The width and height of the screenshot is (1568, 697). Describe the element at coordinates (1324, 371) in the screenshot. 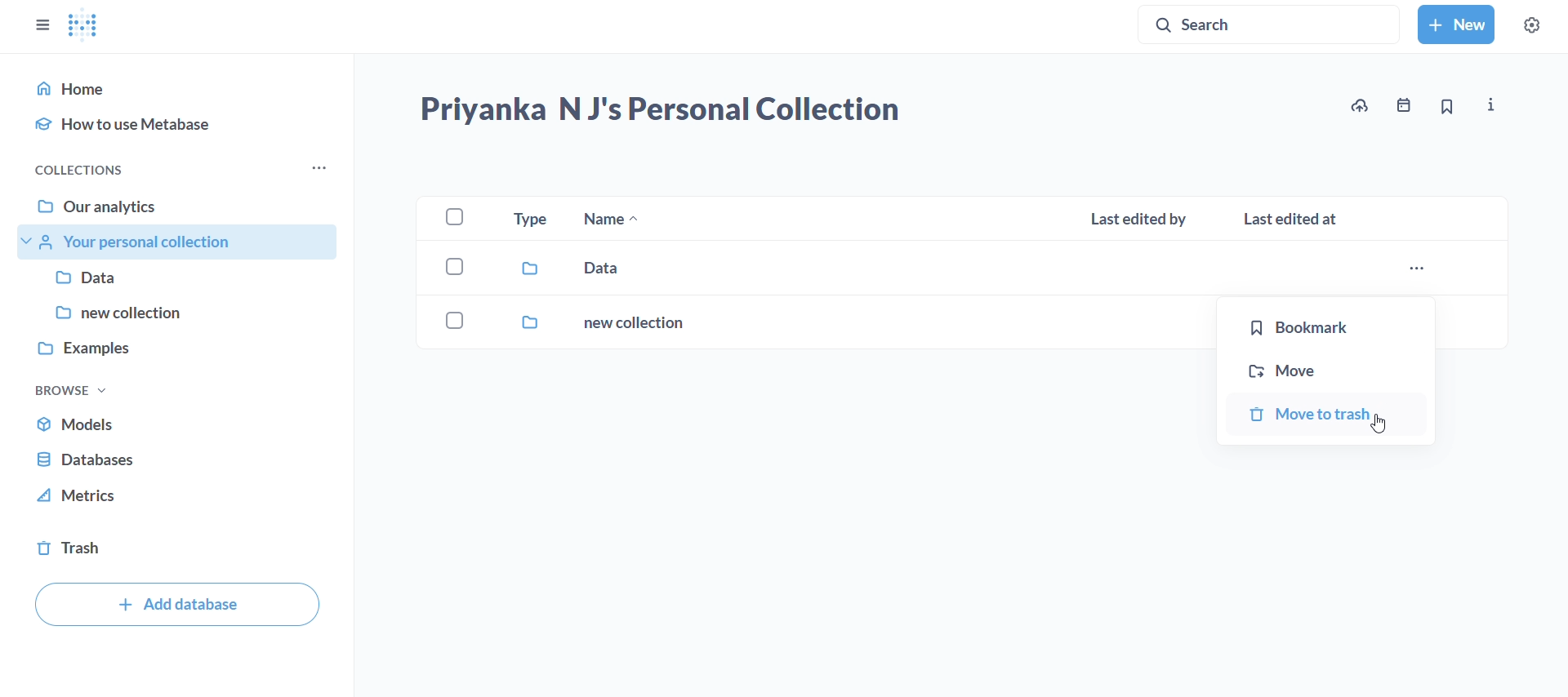

I see `move` at that location.